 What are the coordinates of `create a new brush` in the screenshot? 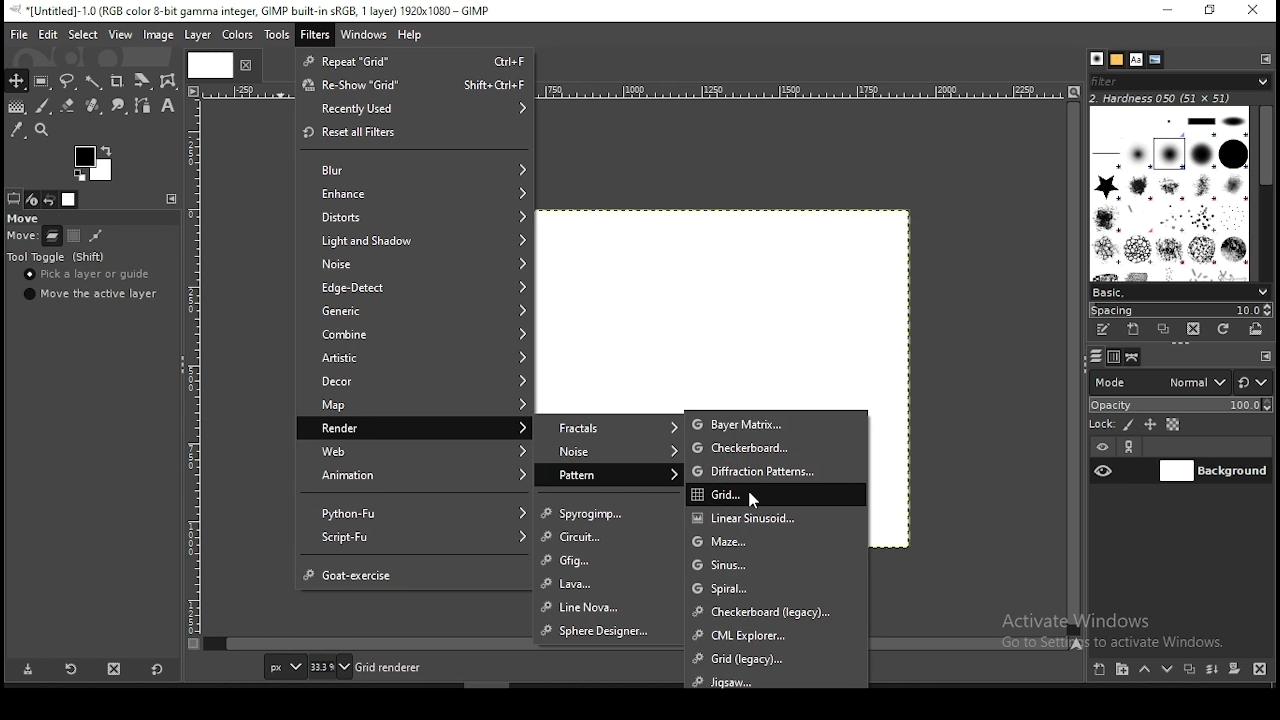 It's located at (1135, 330).